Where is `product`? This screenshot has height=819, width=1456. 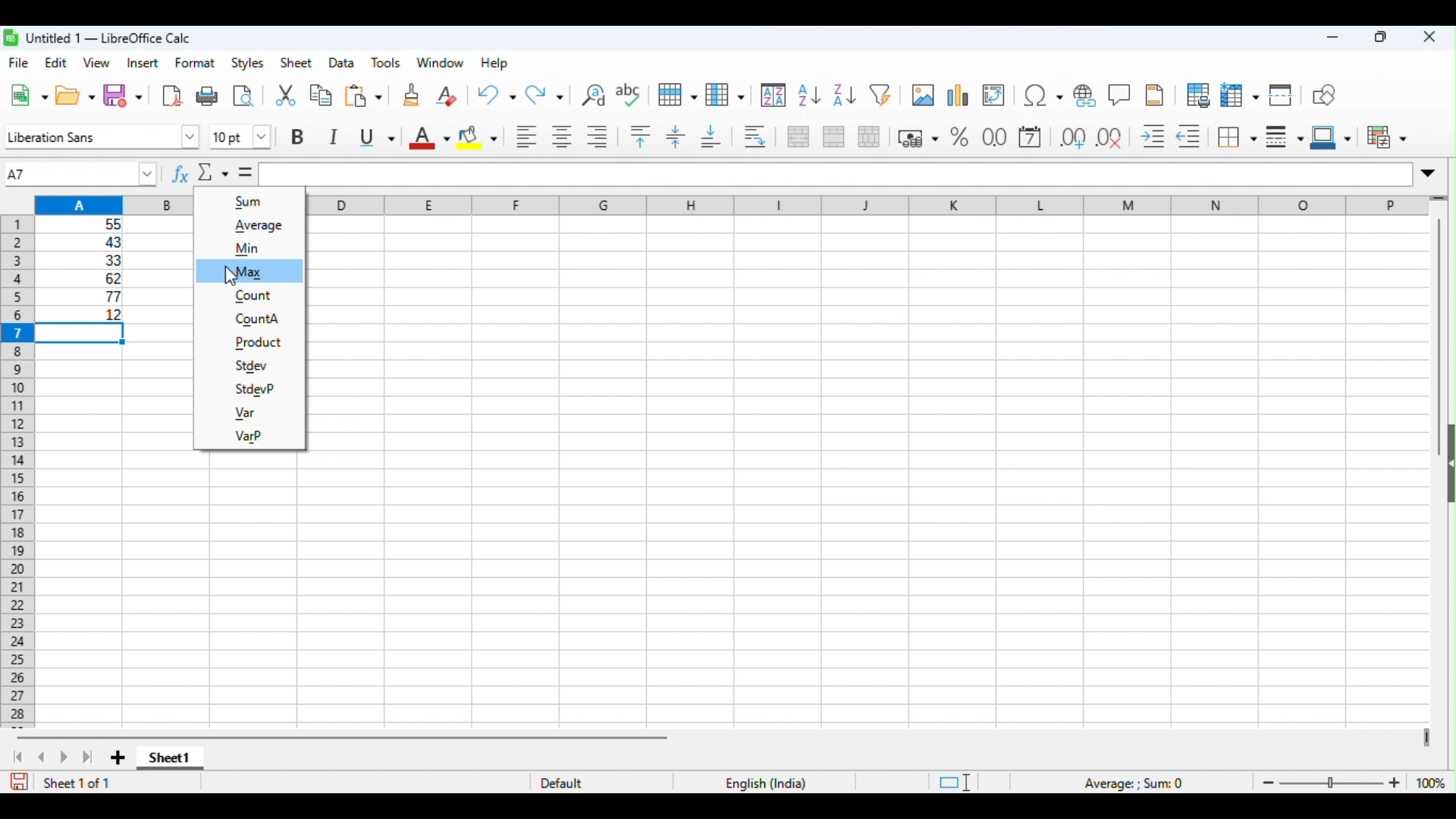
product is located at coordinates (256, 344).